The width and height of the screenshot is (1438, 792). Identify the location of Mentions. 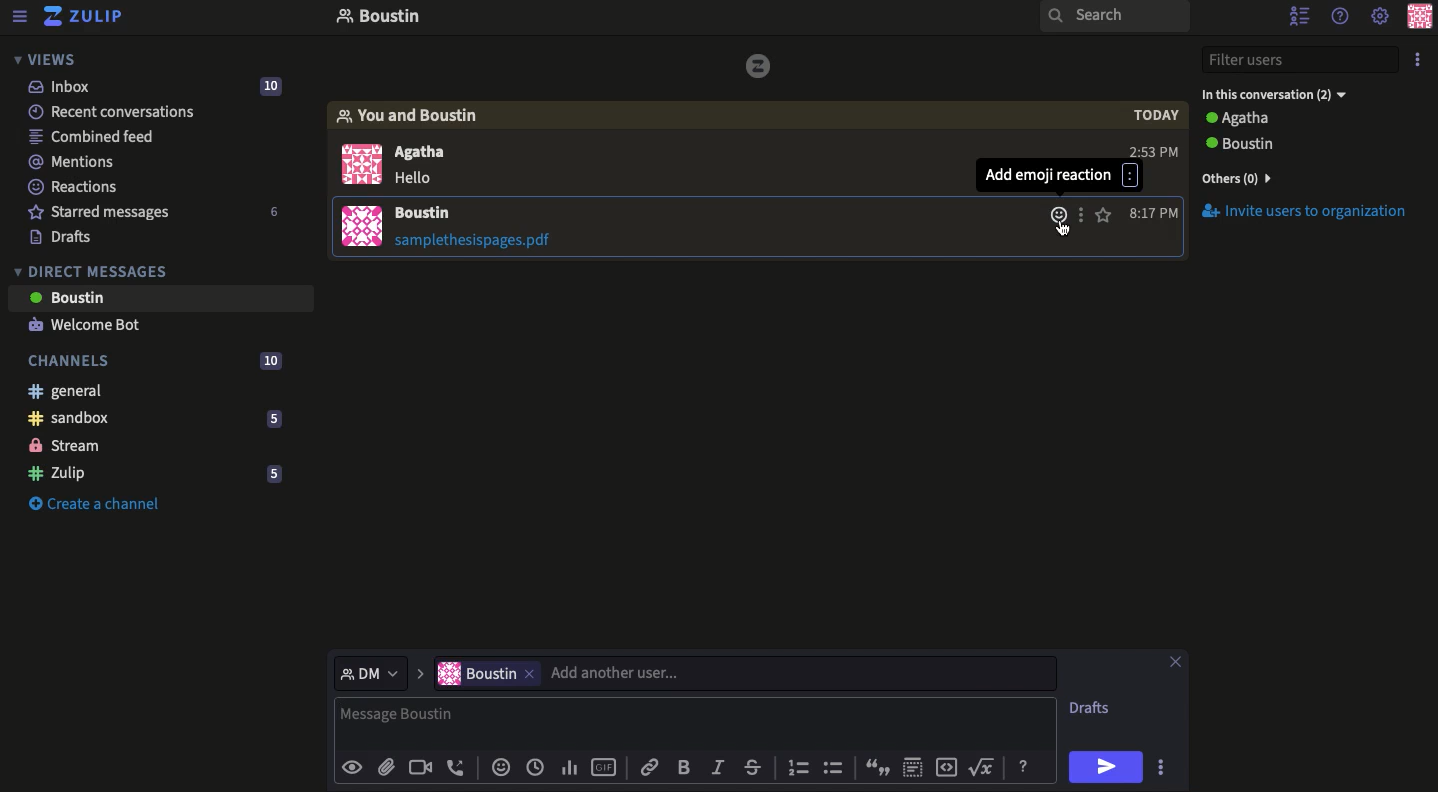
(72, 161).